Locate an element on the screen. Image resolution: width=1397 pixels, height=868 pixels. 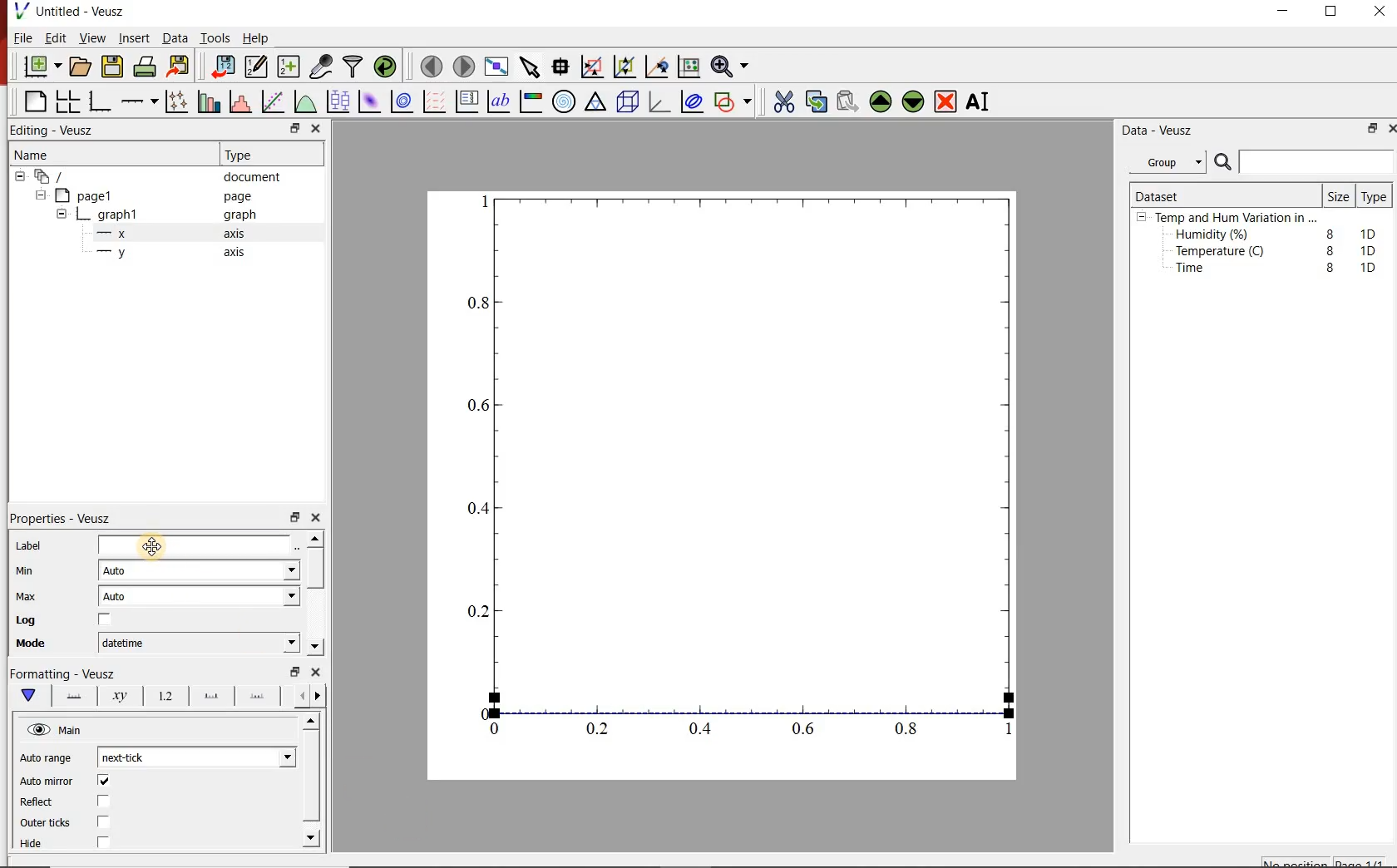
go back is located at coordinates (296, 694).